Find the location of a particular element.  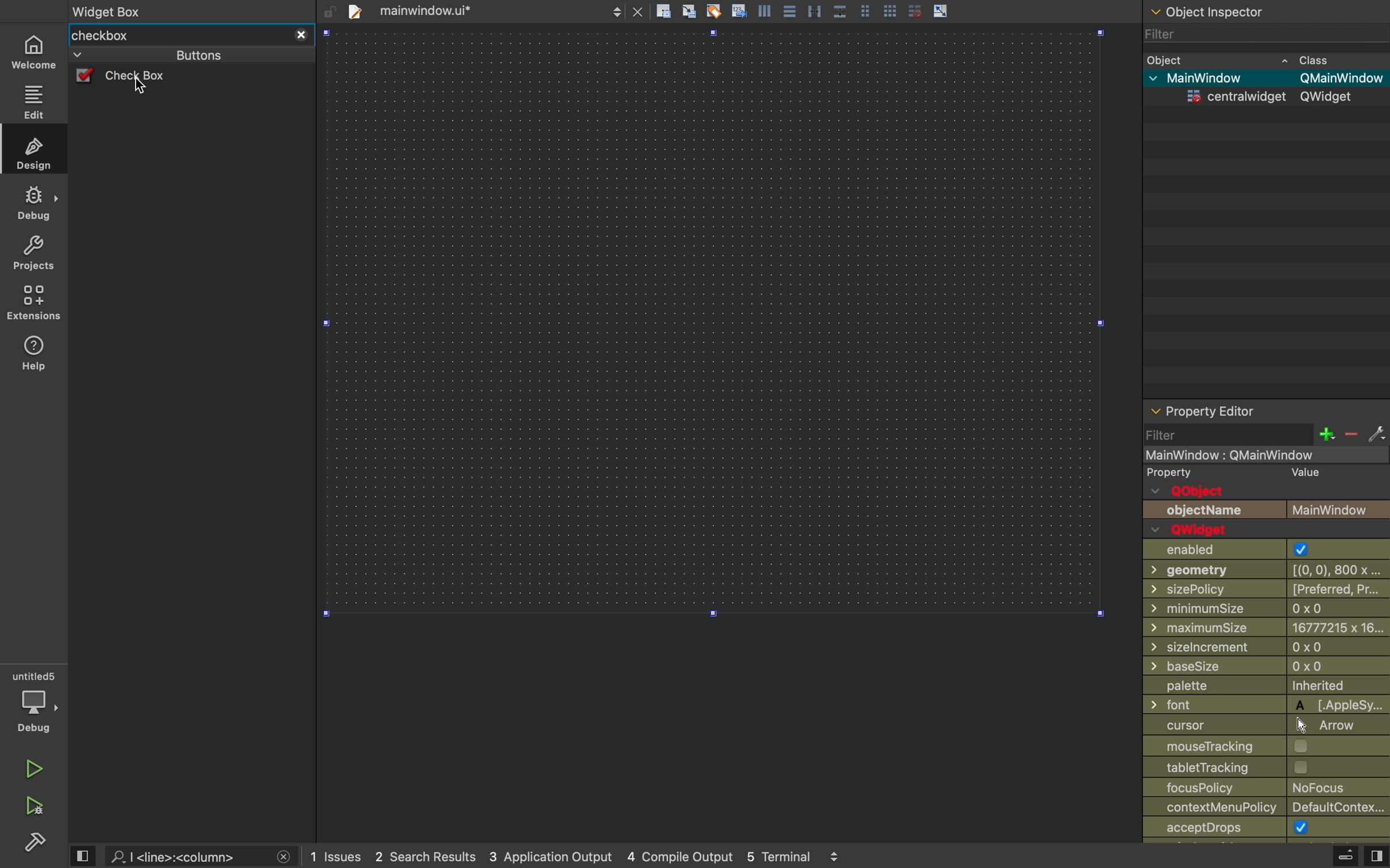

grid view medium is located at coordinates (864, 10).